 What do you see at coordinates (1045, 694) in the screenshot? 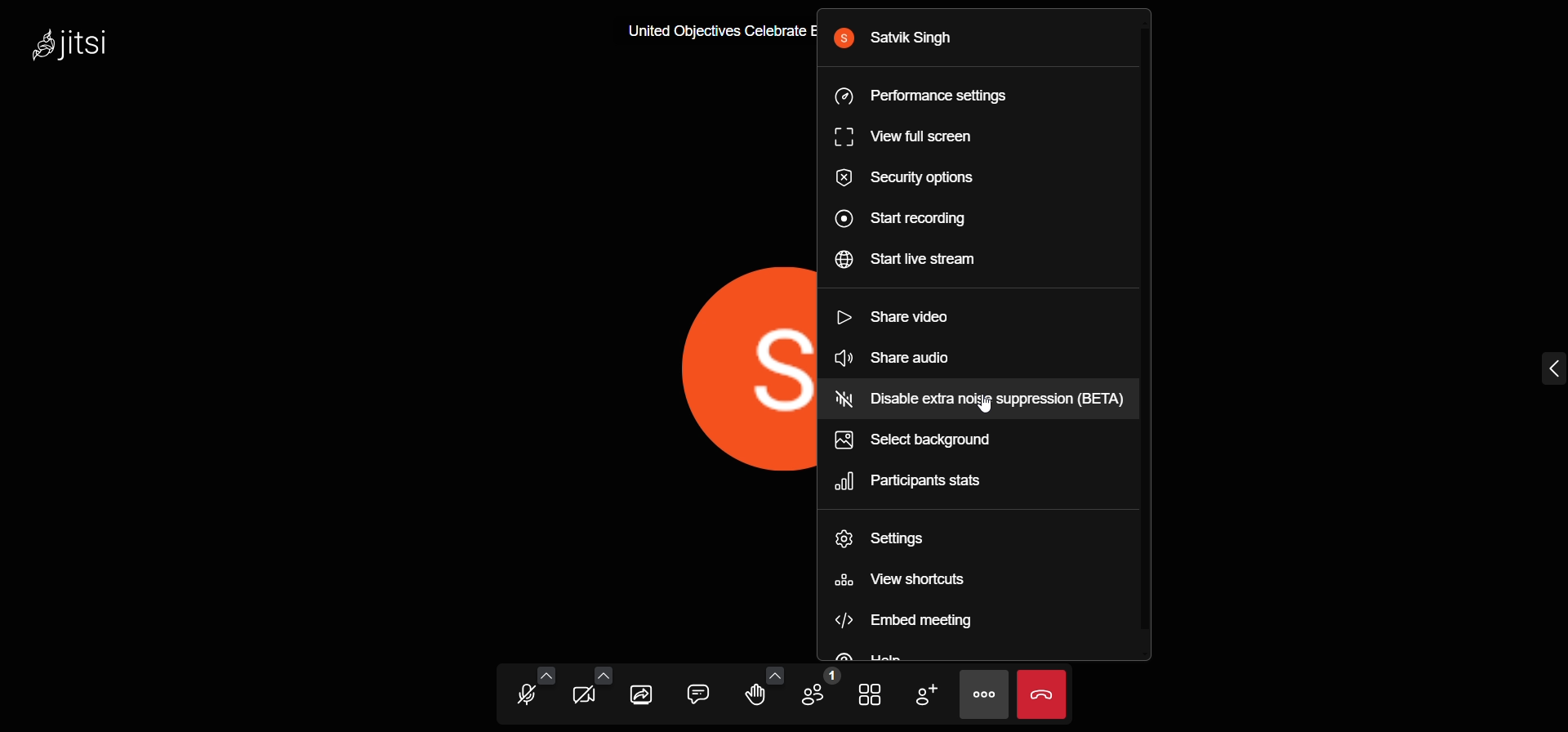
I see `leave meeting` at bounding box center [1045, 694].